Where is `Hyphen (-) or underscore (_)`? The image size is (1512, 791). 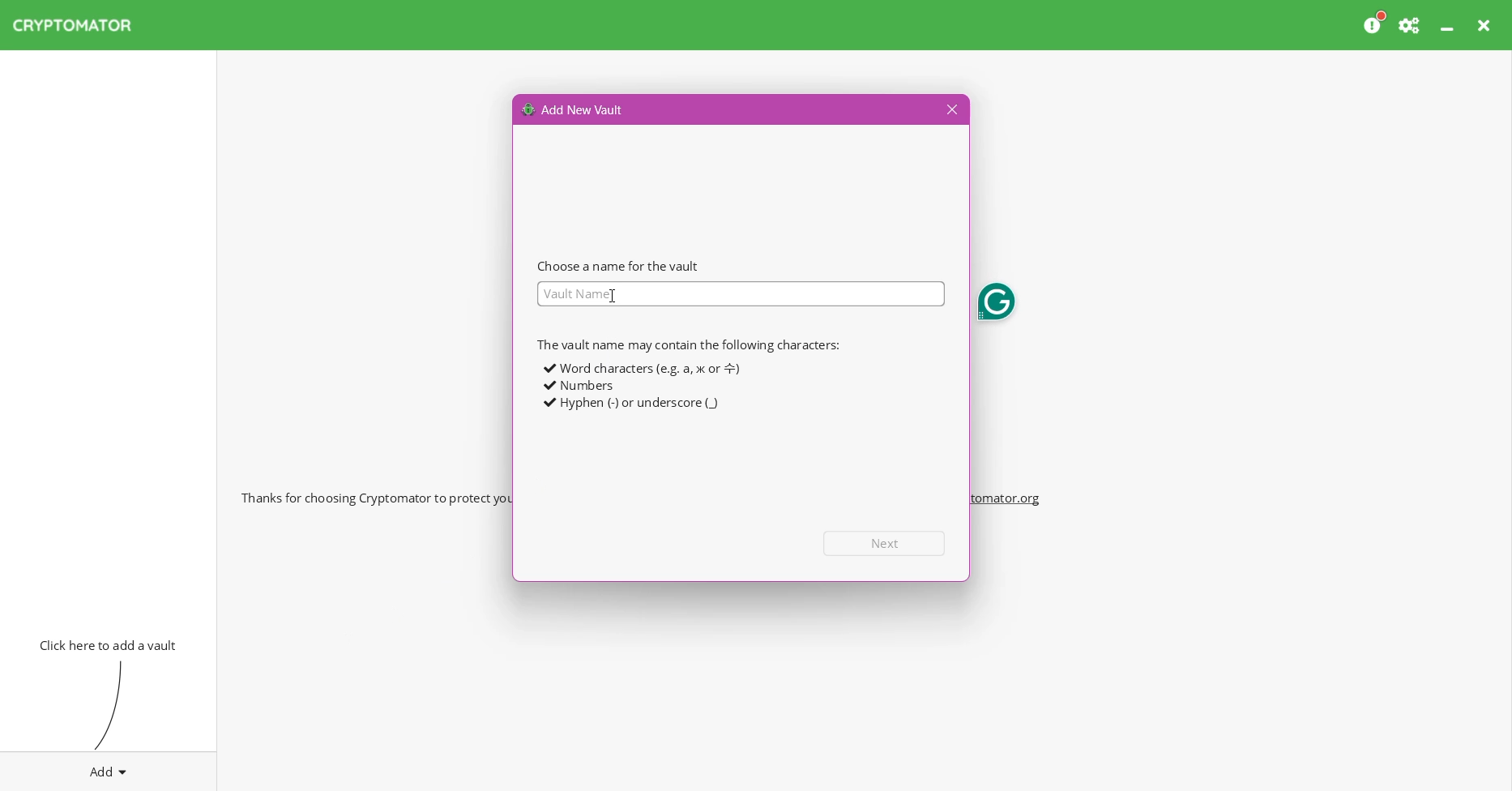
Hyphen (-) or underscore (_) is located at coordinates (631, 404).